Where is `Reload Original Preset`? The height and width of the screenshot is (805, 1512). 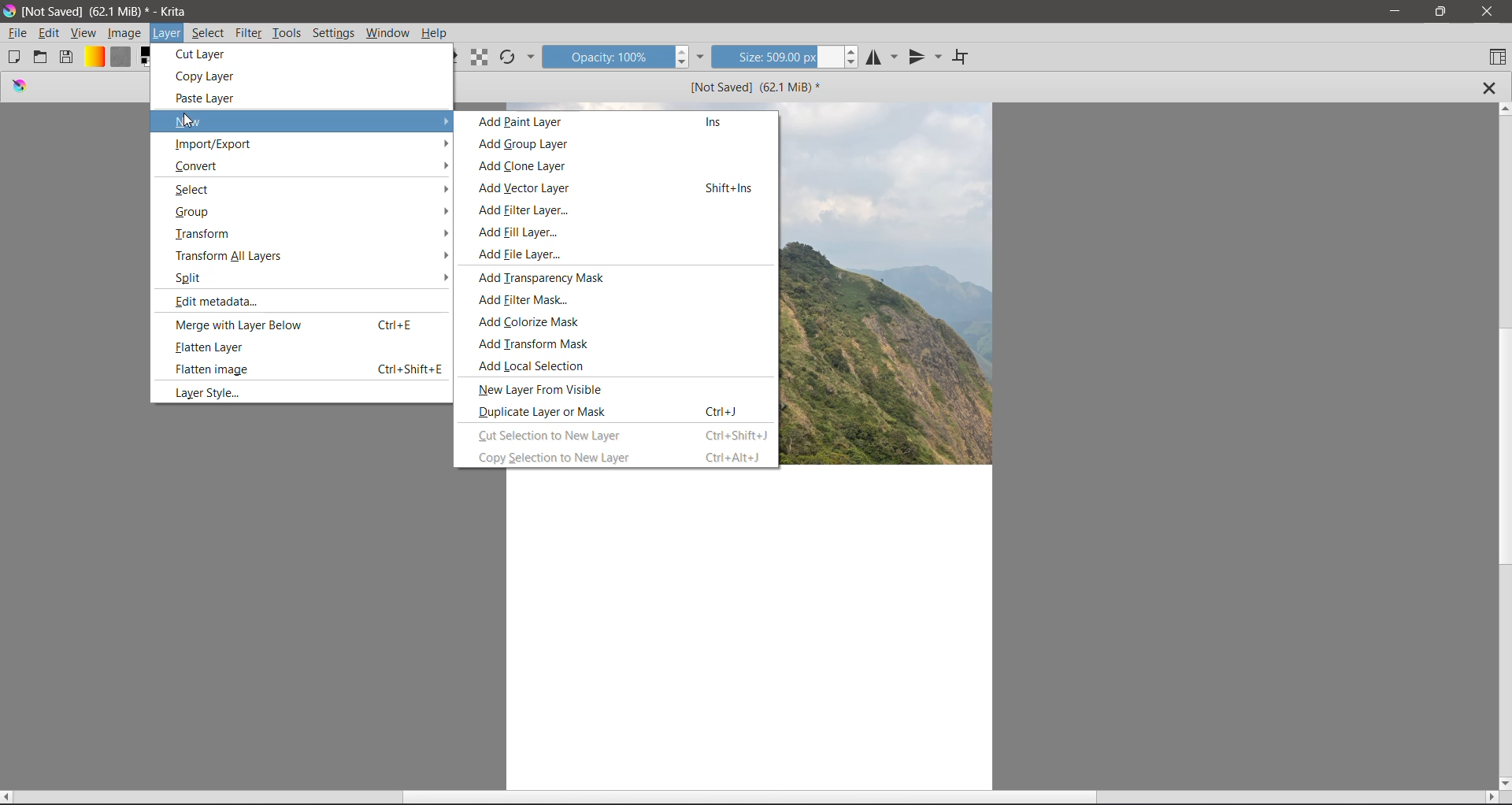
Reload Original Preset is located at coordinates (509, 57).